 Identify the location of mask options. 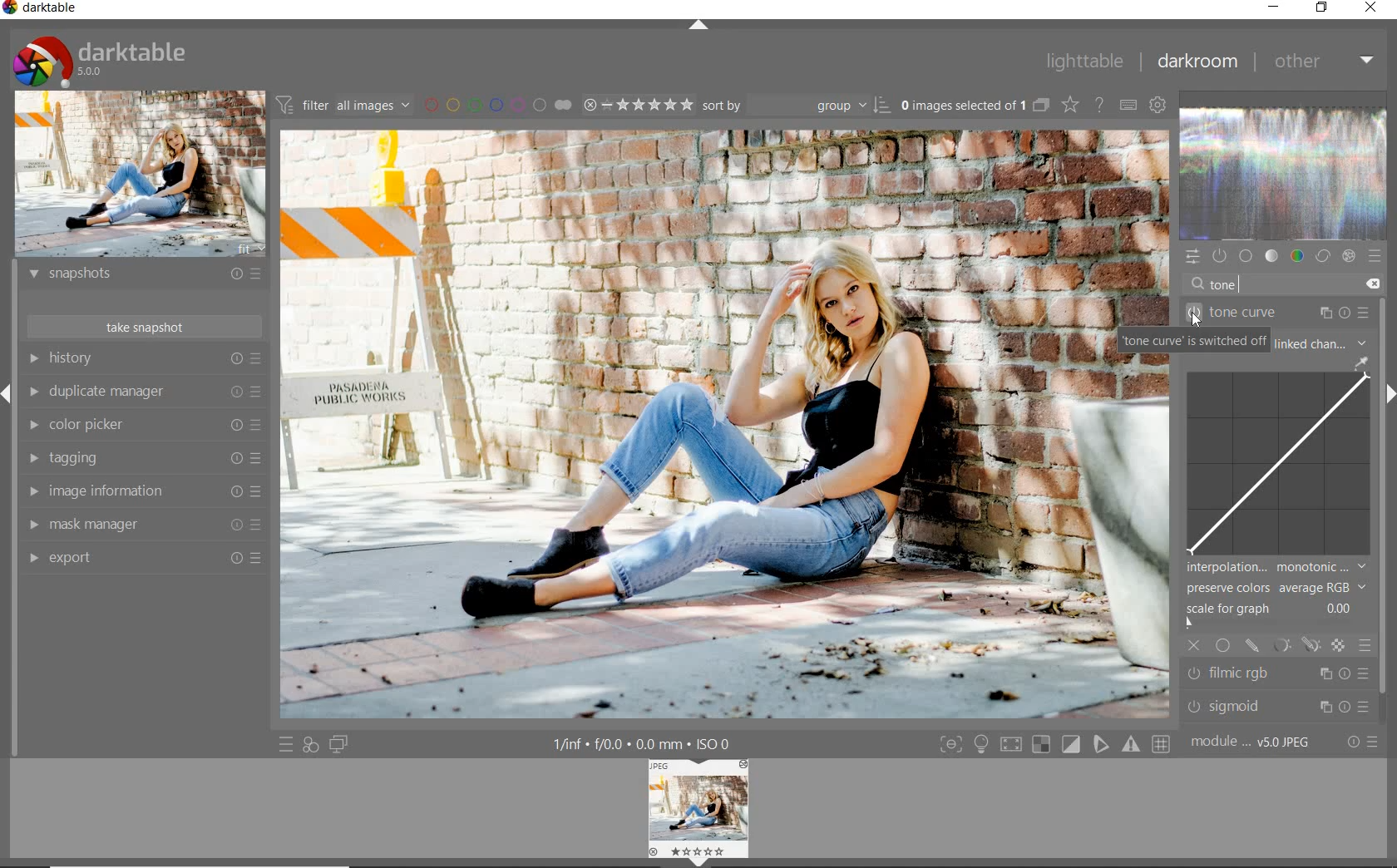
(1294, 646).